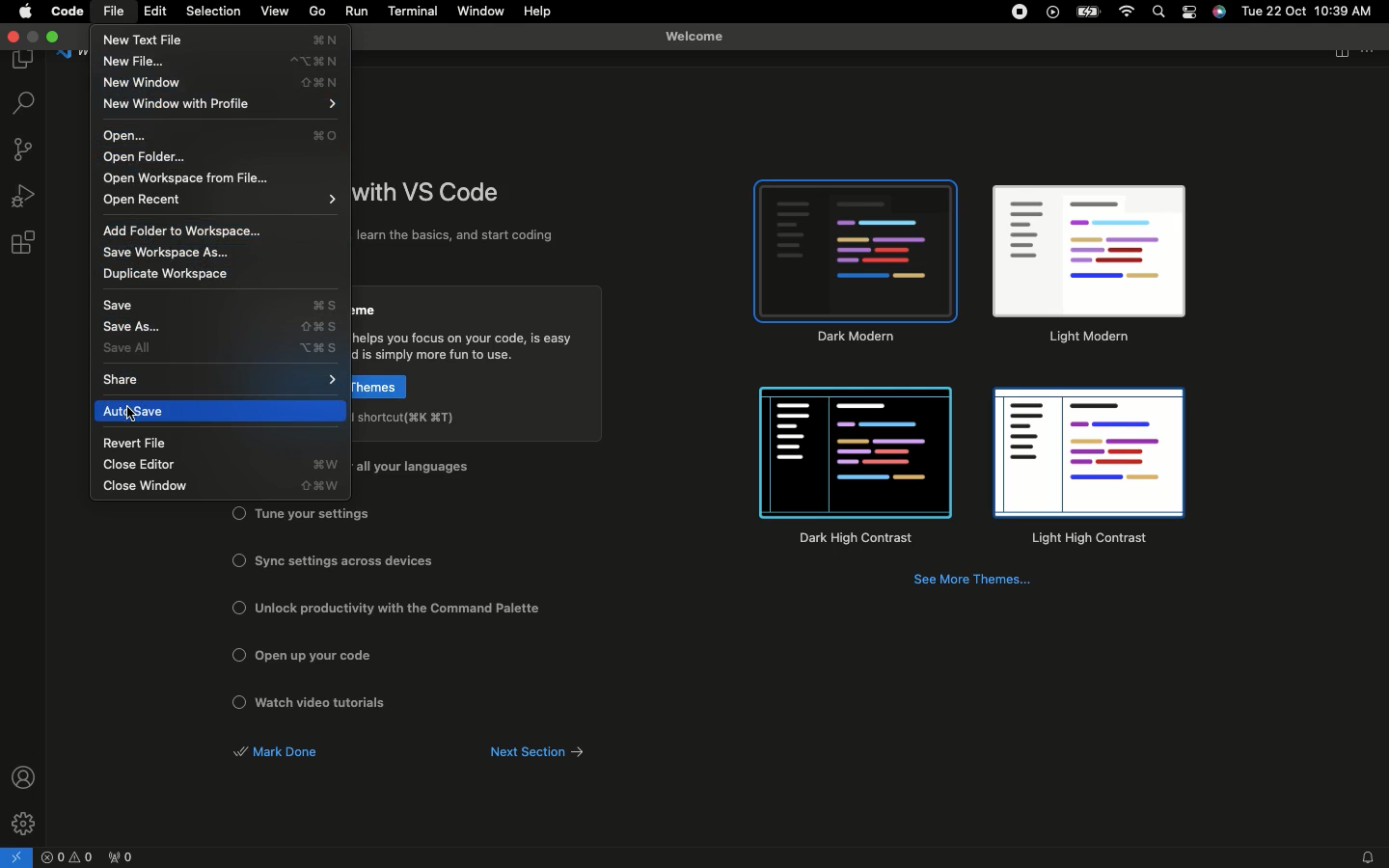 The height and width of the screenshot is (868, 1389). Describe the element at coordinates (25, 152) in the screenshot. I see `Source control` at that location.